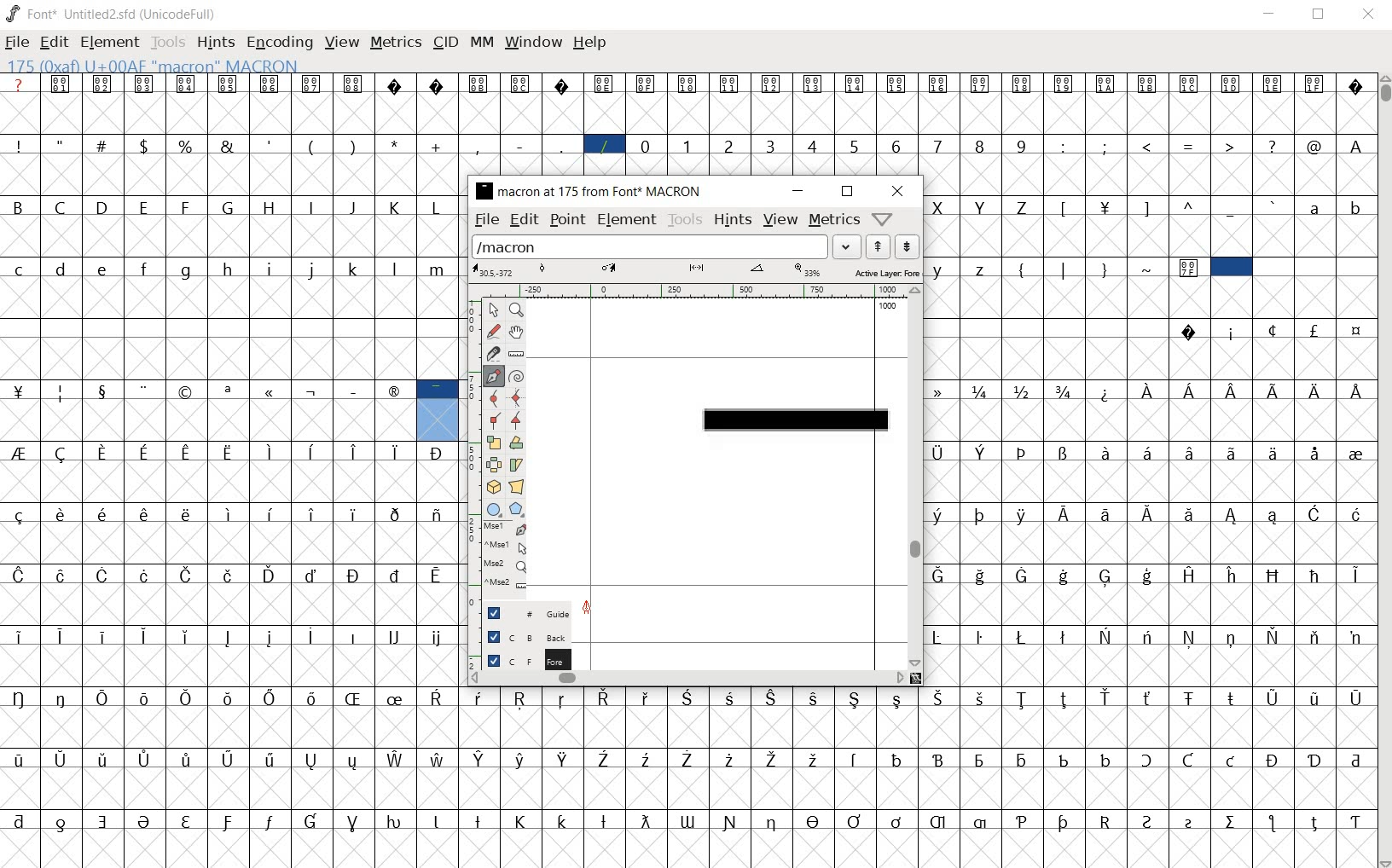 The width and height of the screenshot is (1392, 868). What do you see at coordinates (514, 466) in the screenshot?
I see `skew` at bounding box center [514, 466].